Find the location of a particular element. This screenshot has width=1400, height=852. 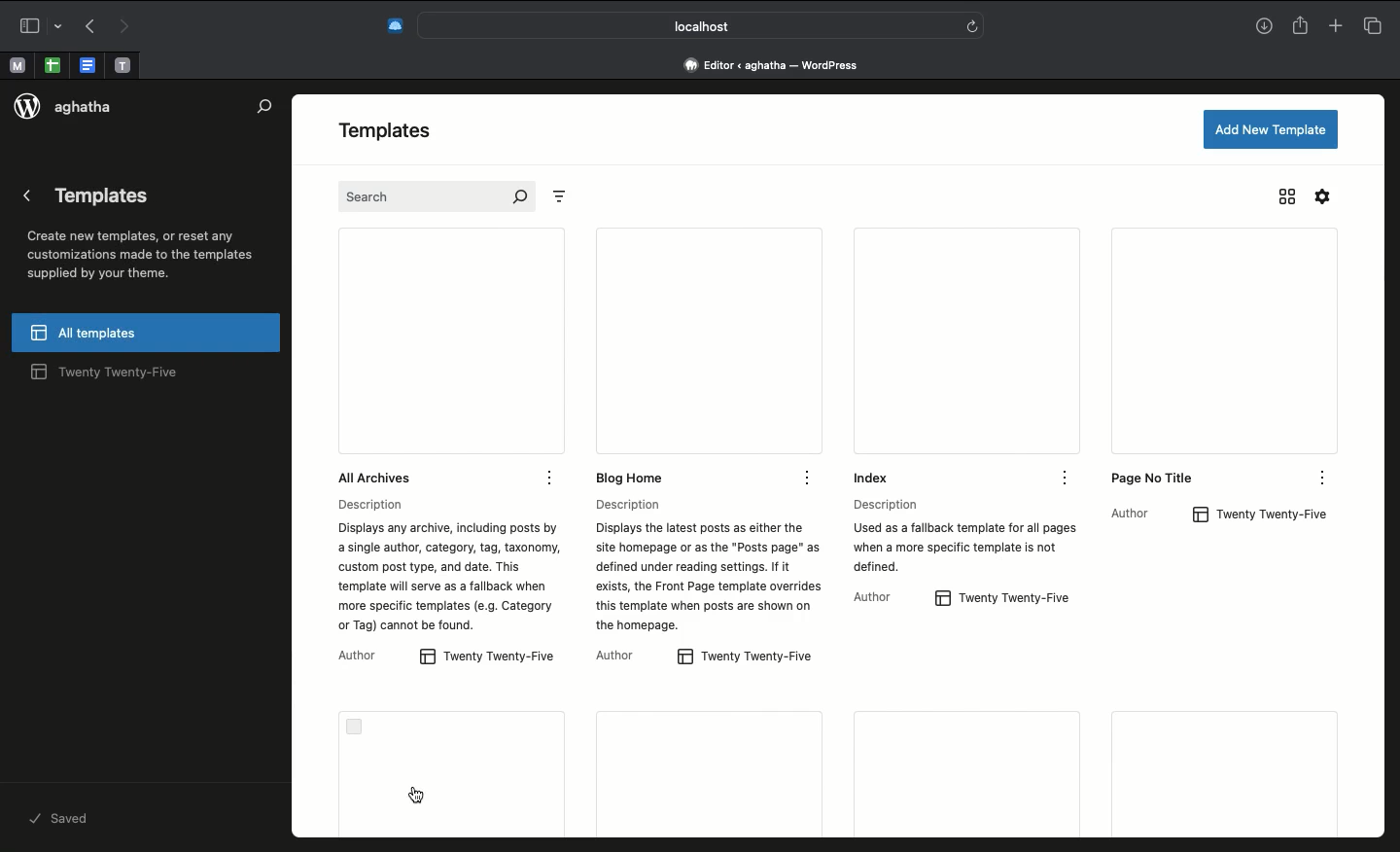

Address is located at coordinates (779, 64).